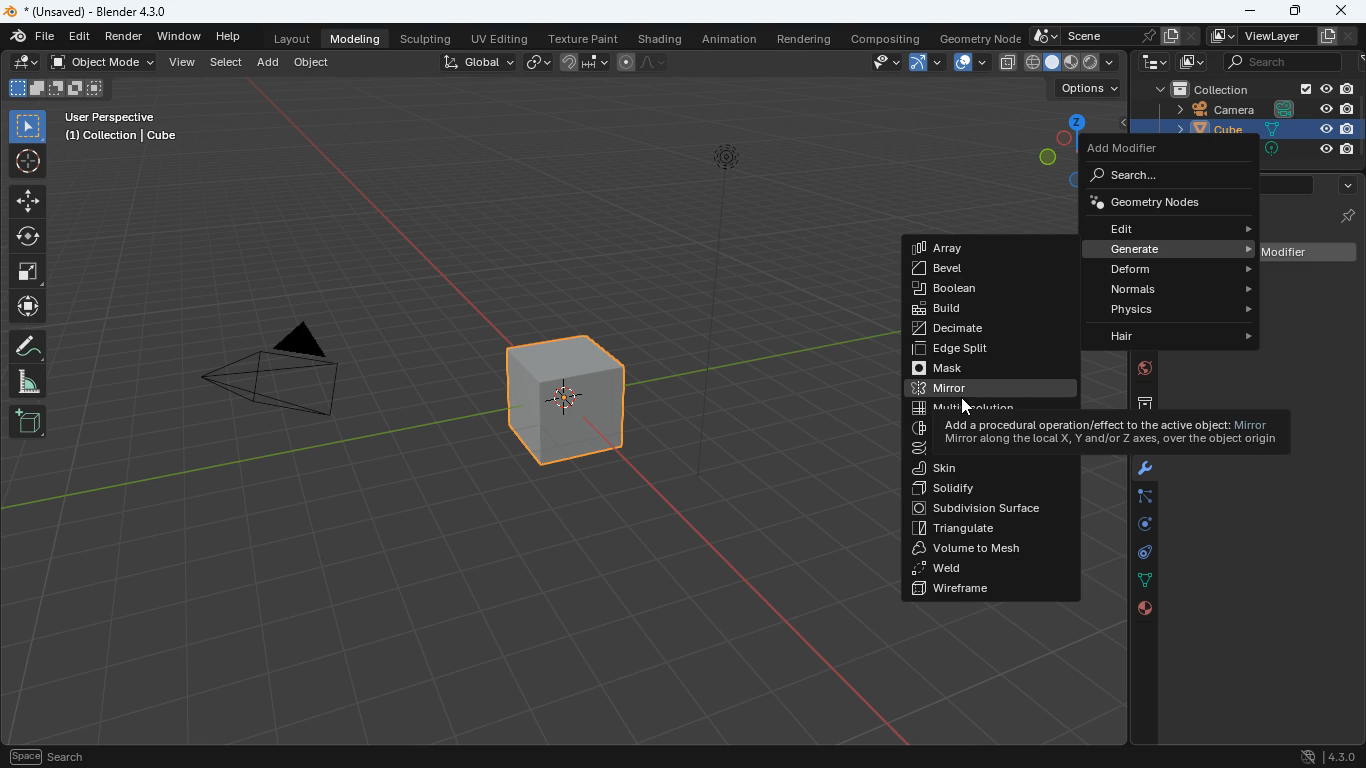 The image size is (1366, 768). Describe the element at coordinates (1142, 581) in the screenshot. I see `lines` at that location.